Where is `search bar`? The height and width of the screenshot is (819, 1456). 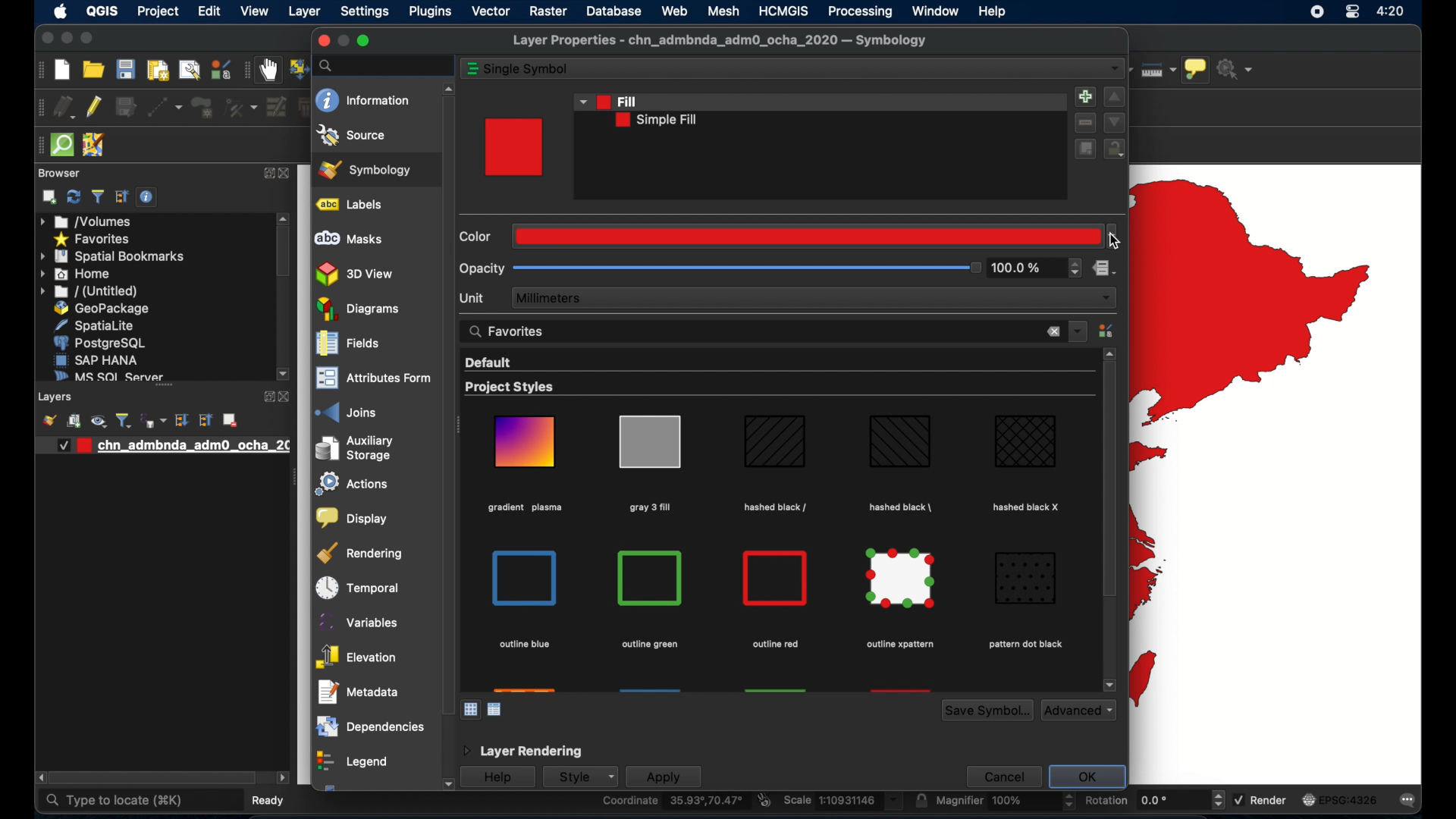 search bar is located at coordinates (383, 65).